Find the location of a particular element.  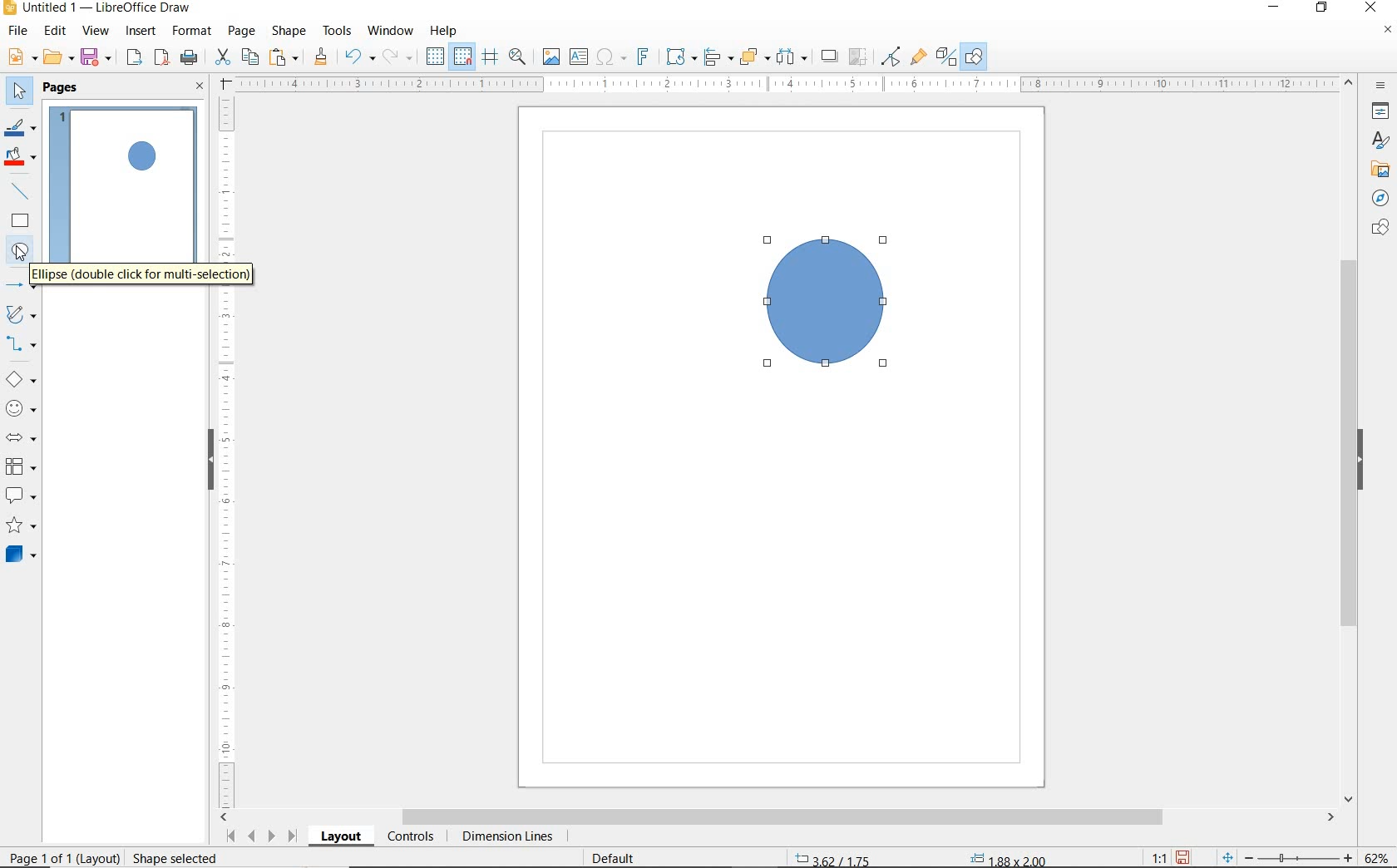

CLOSE is located at coordinates (1370, 6).